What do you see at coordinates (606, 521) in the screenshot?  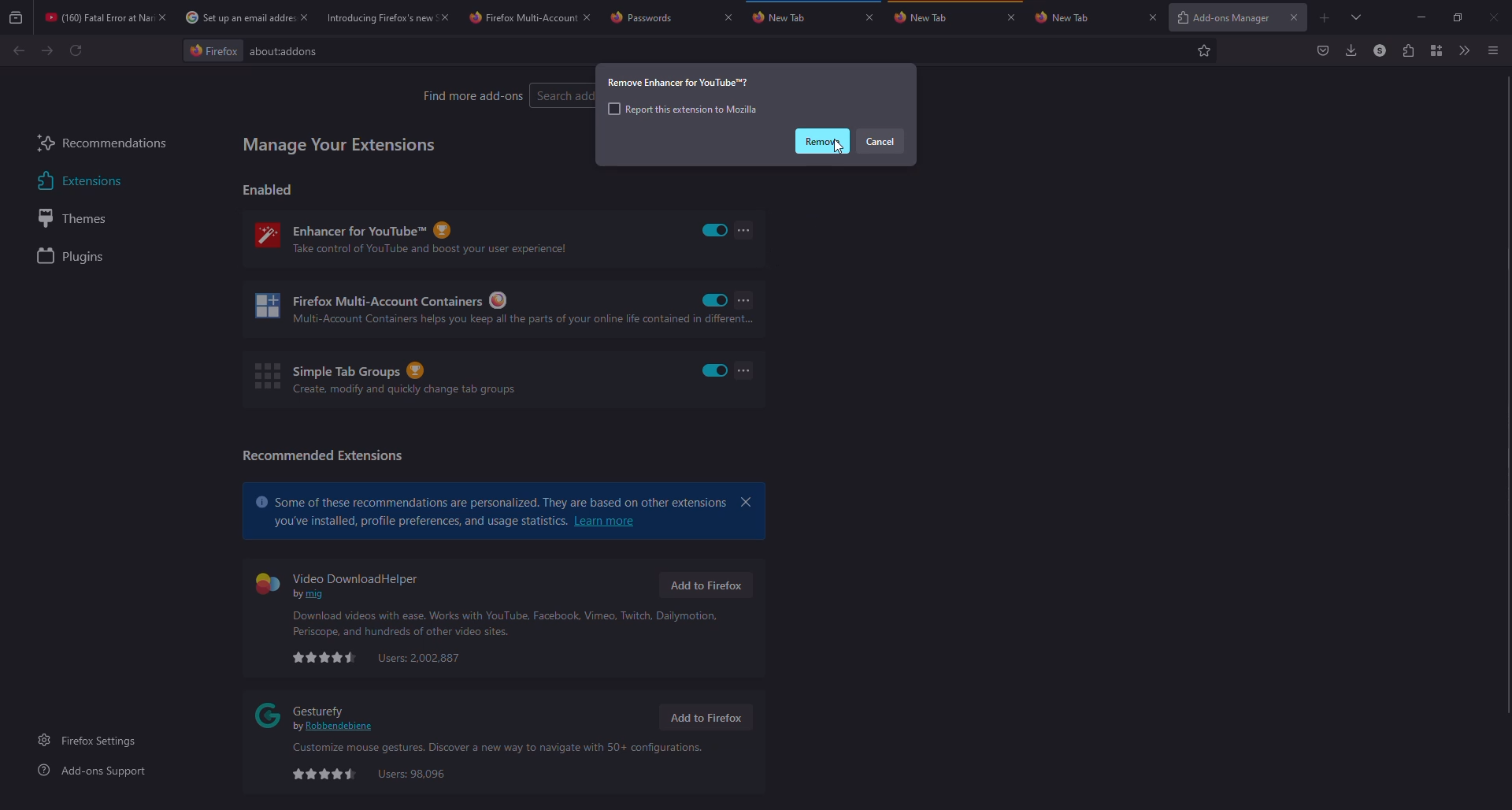 I see `Learn more` at bounding box center [606, 521].